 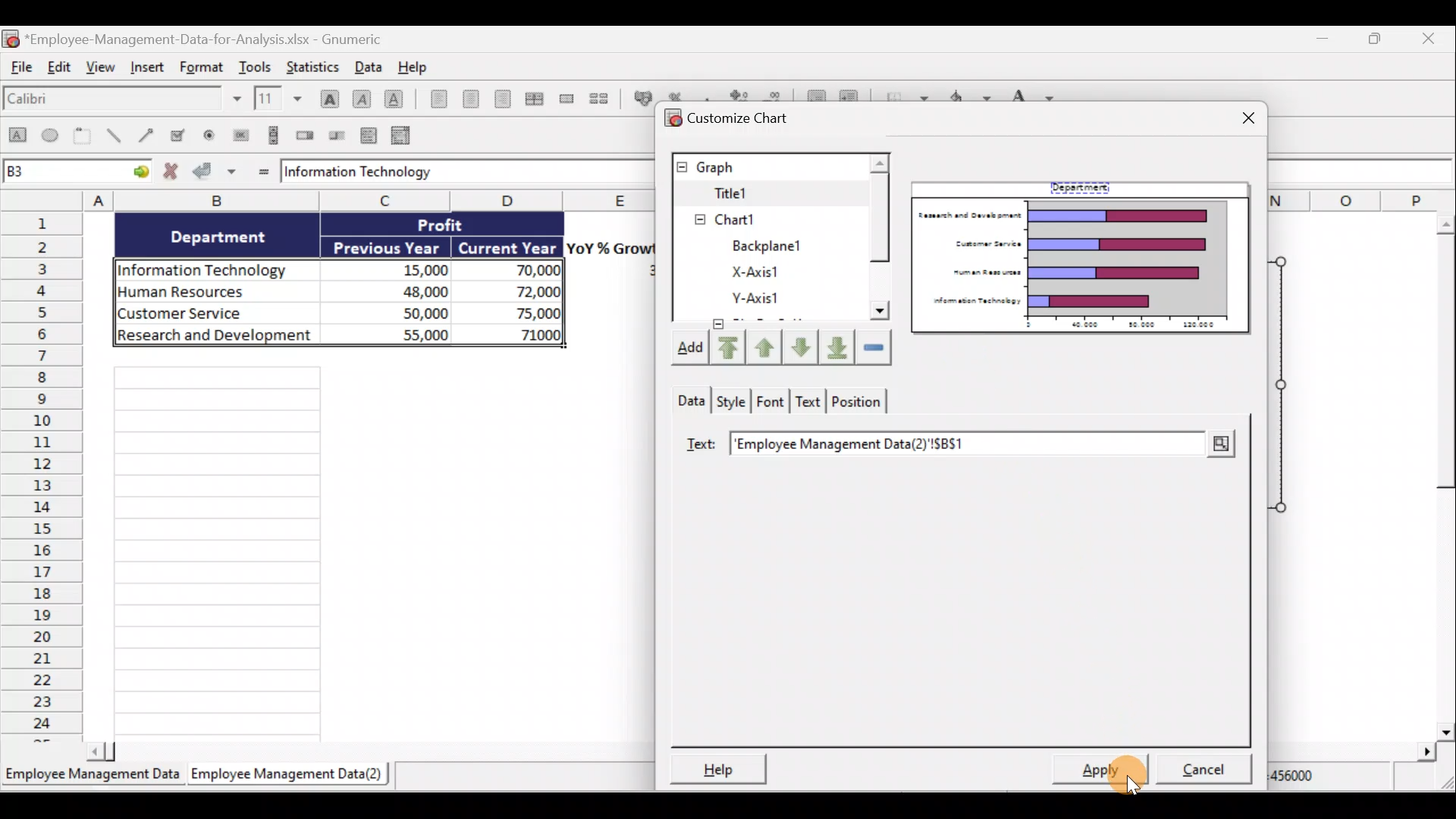 I want to click on Create a slider, so click(x=338, y=134).